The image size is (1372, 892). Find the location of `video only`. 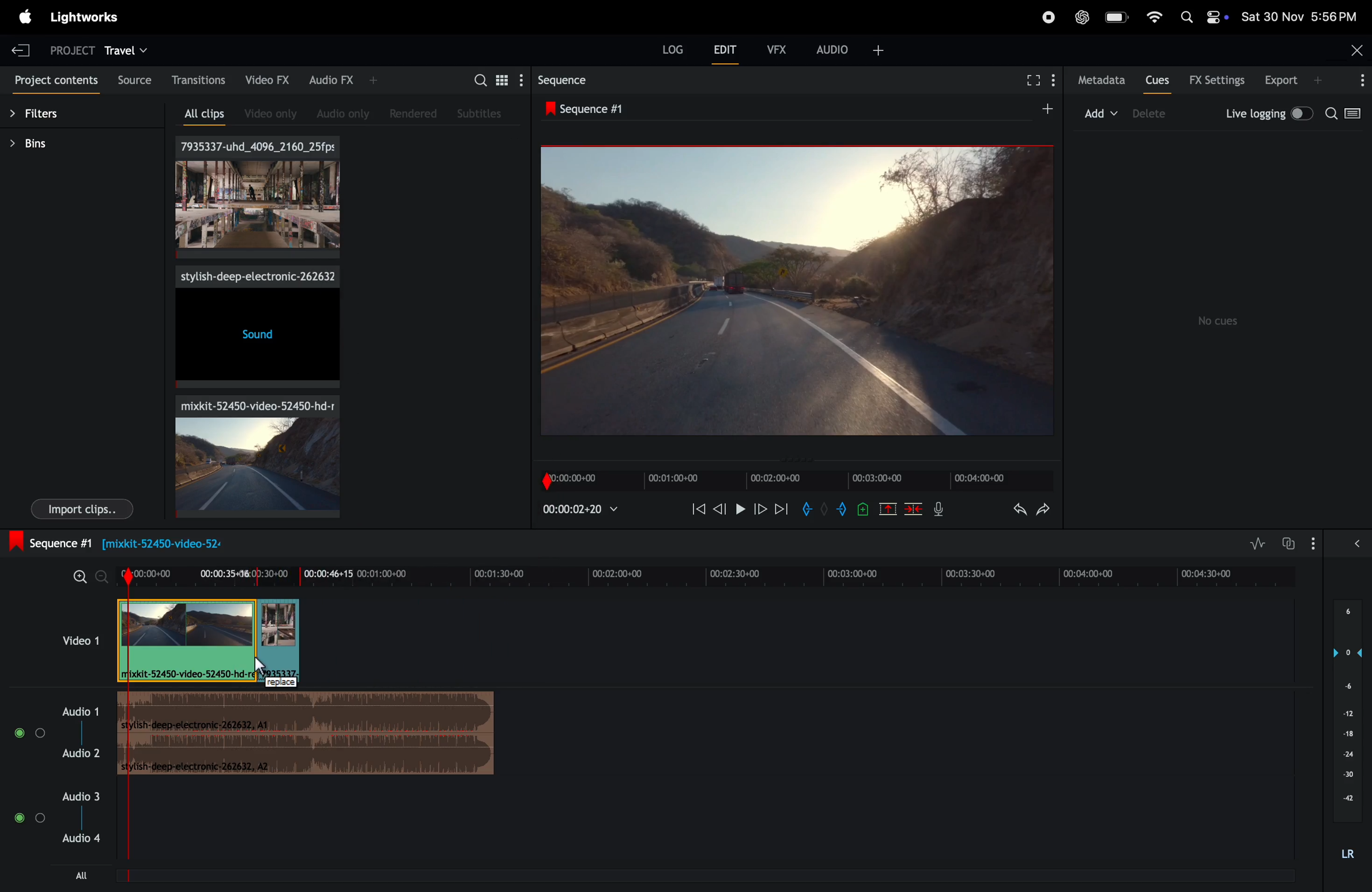

video only is located at coordinates (265, 114).